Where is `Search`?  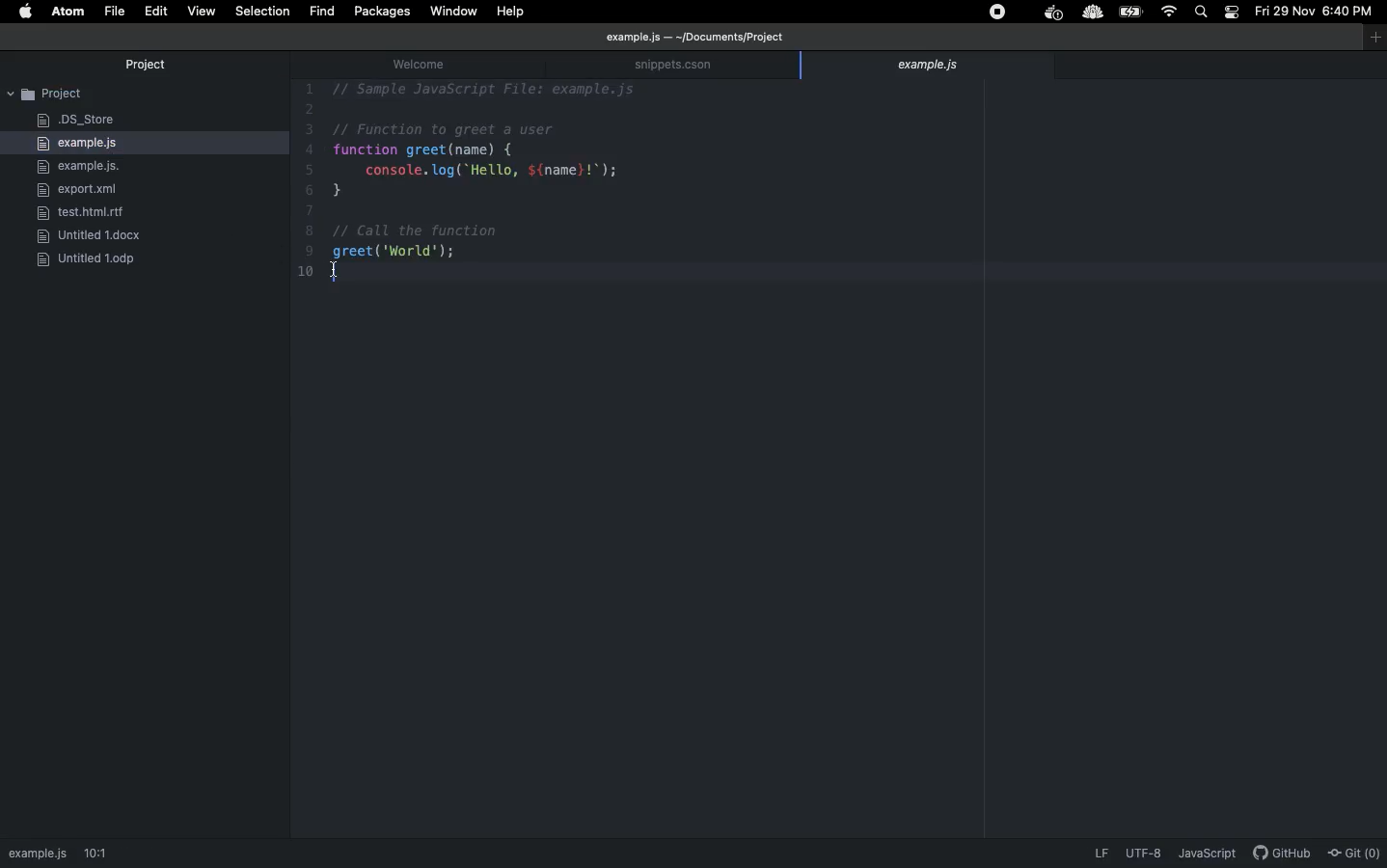 Search is located at coordinates (1204, 12).